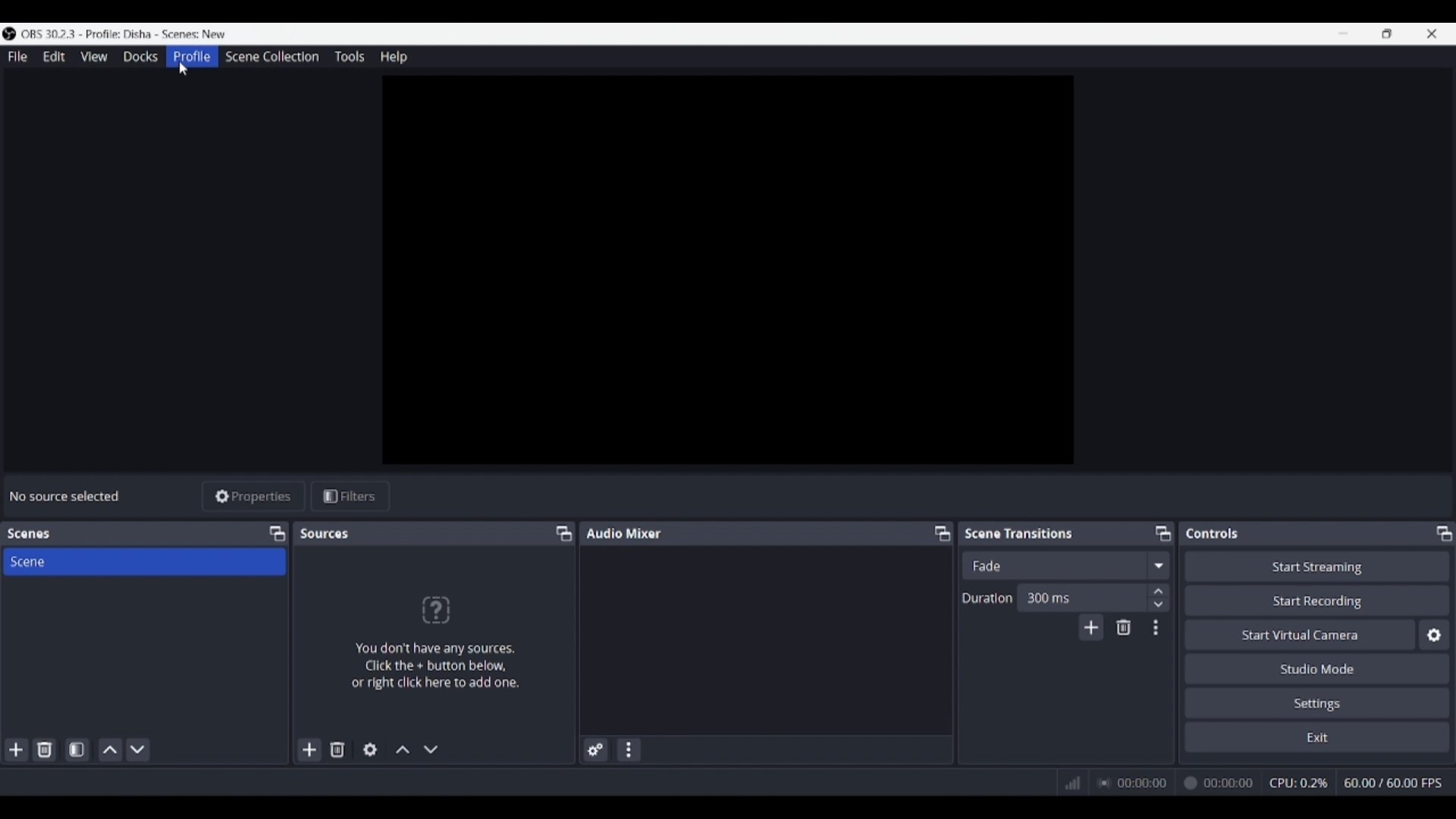  Describe the element at coordinates (559, 534) in the screenshot. I see `Copy` at that location.